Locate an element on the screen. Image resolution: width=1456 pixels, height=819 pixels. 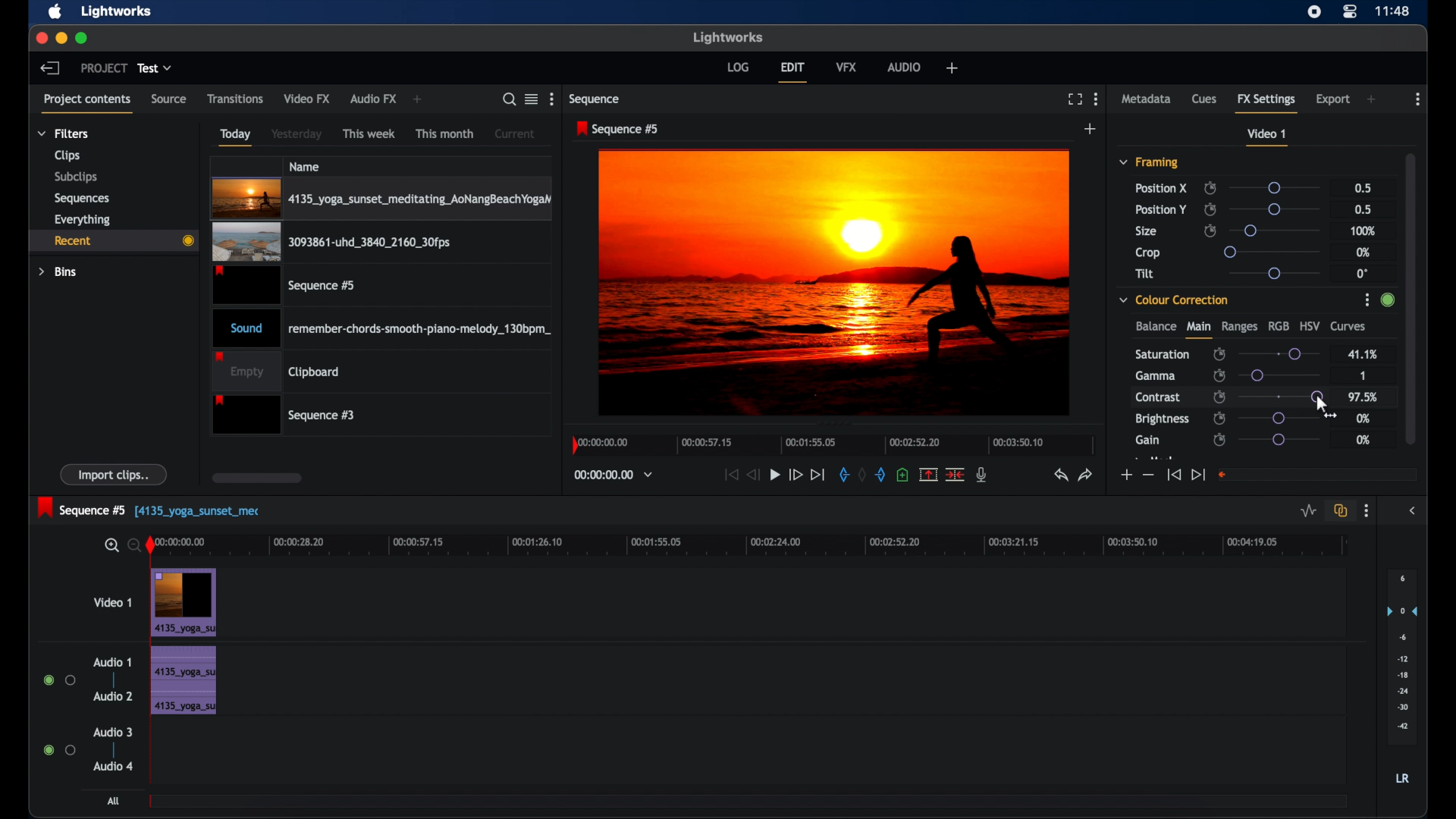
radio buttons is located at coordinates (59, 750).